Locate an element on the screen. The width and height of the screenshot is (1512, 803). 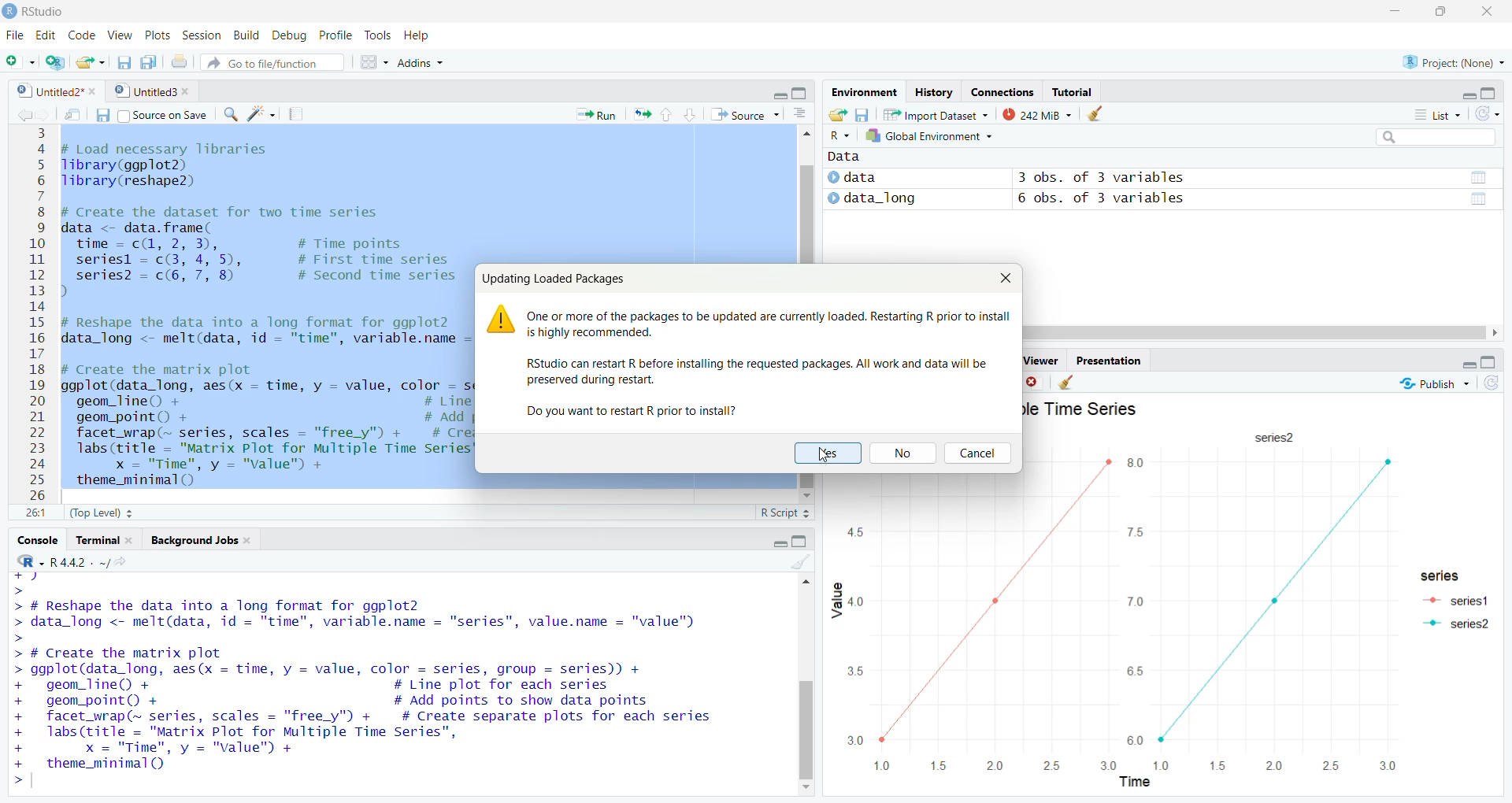
up is located at coordinates (665, 114).